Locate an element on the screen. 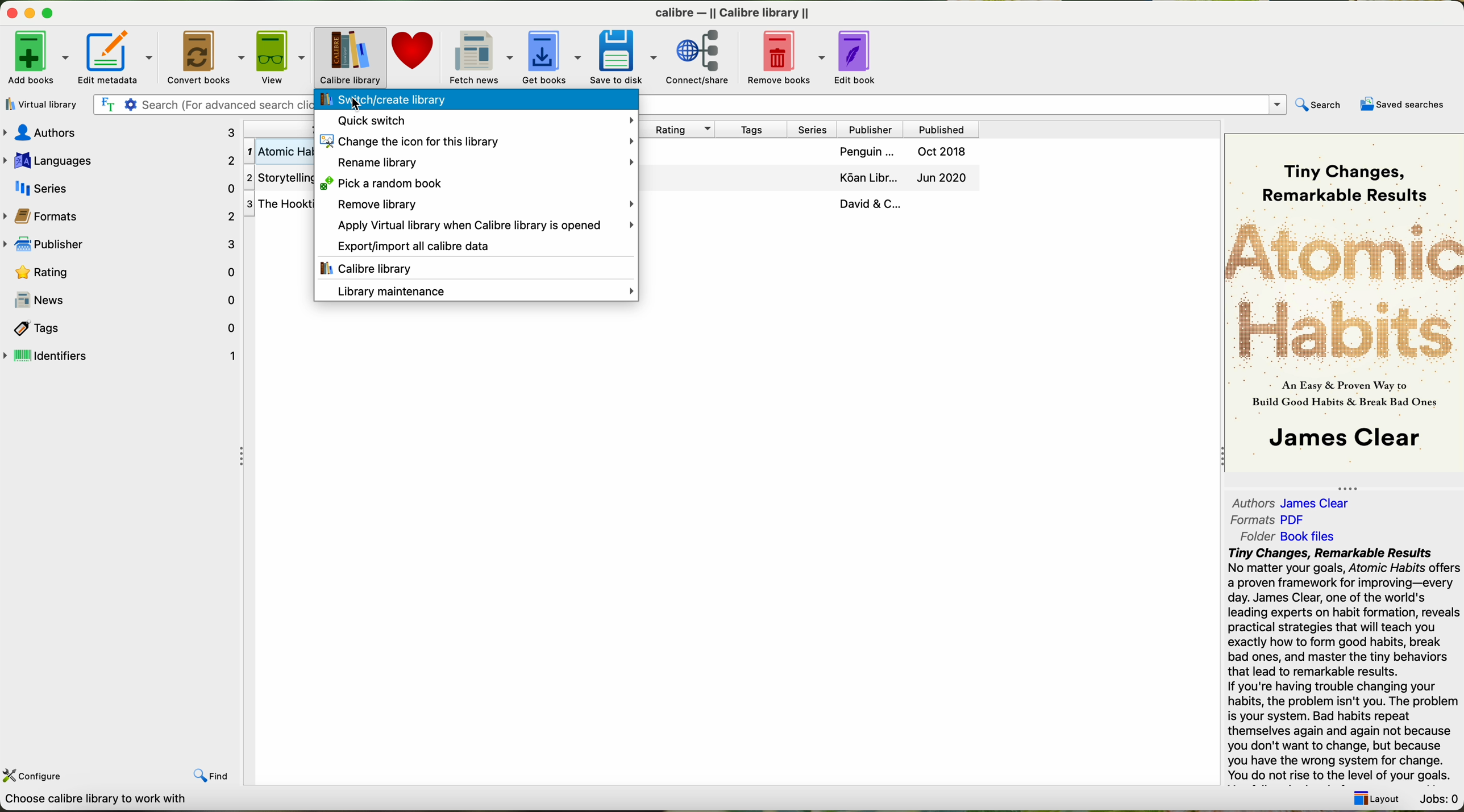 The image size is (1464, 812). tags is located at coordinates (749, 128).